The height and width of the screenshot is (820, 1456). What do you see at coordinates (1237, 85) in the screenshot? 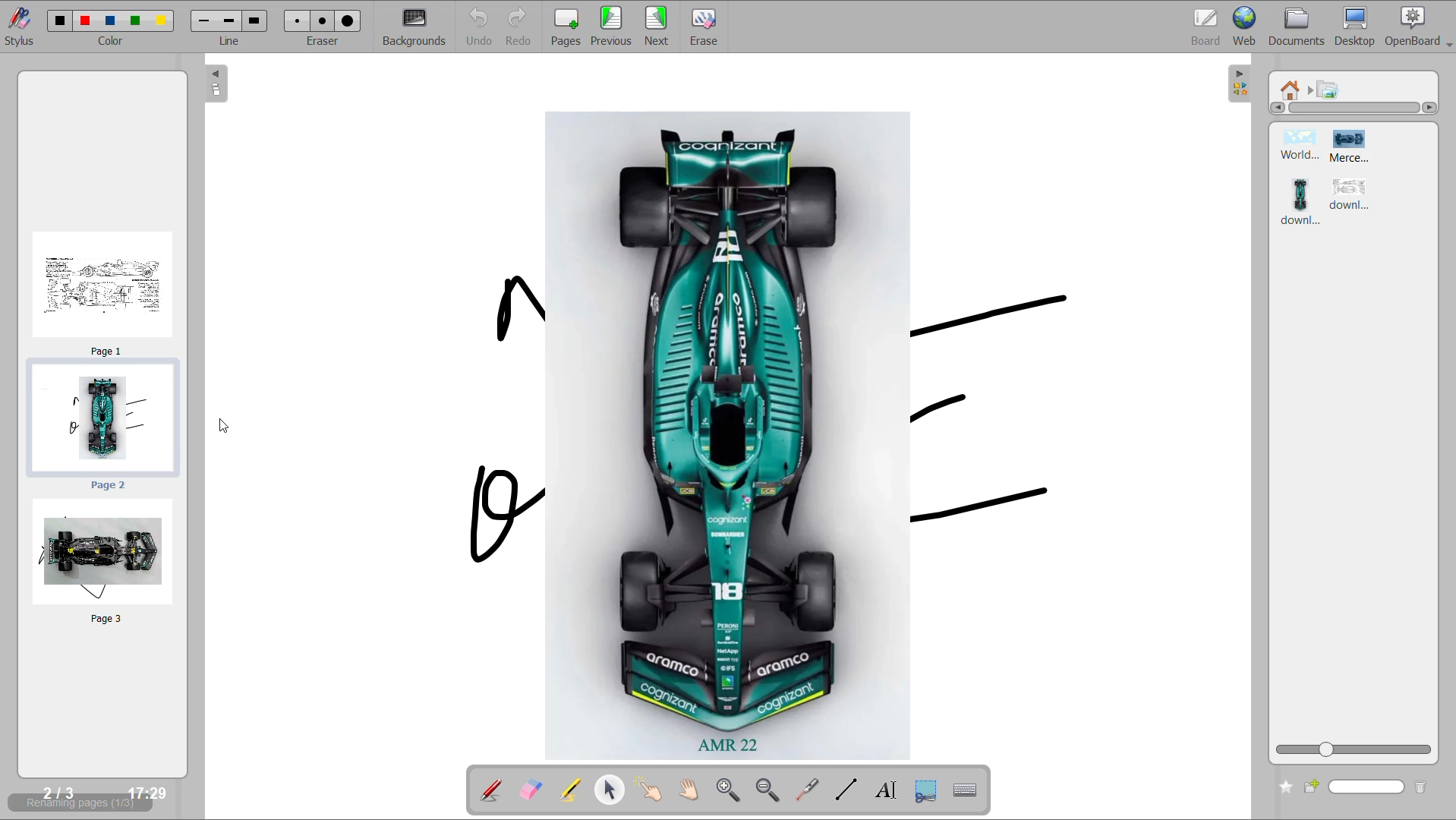
I see `collapse` at bounding box center [1237, 85].